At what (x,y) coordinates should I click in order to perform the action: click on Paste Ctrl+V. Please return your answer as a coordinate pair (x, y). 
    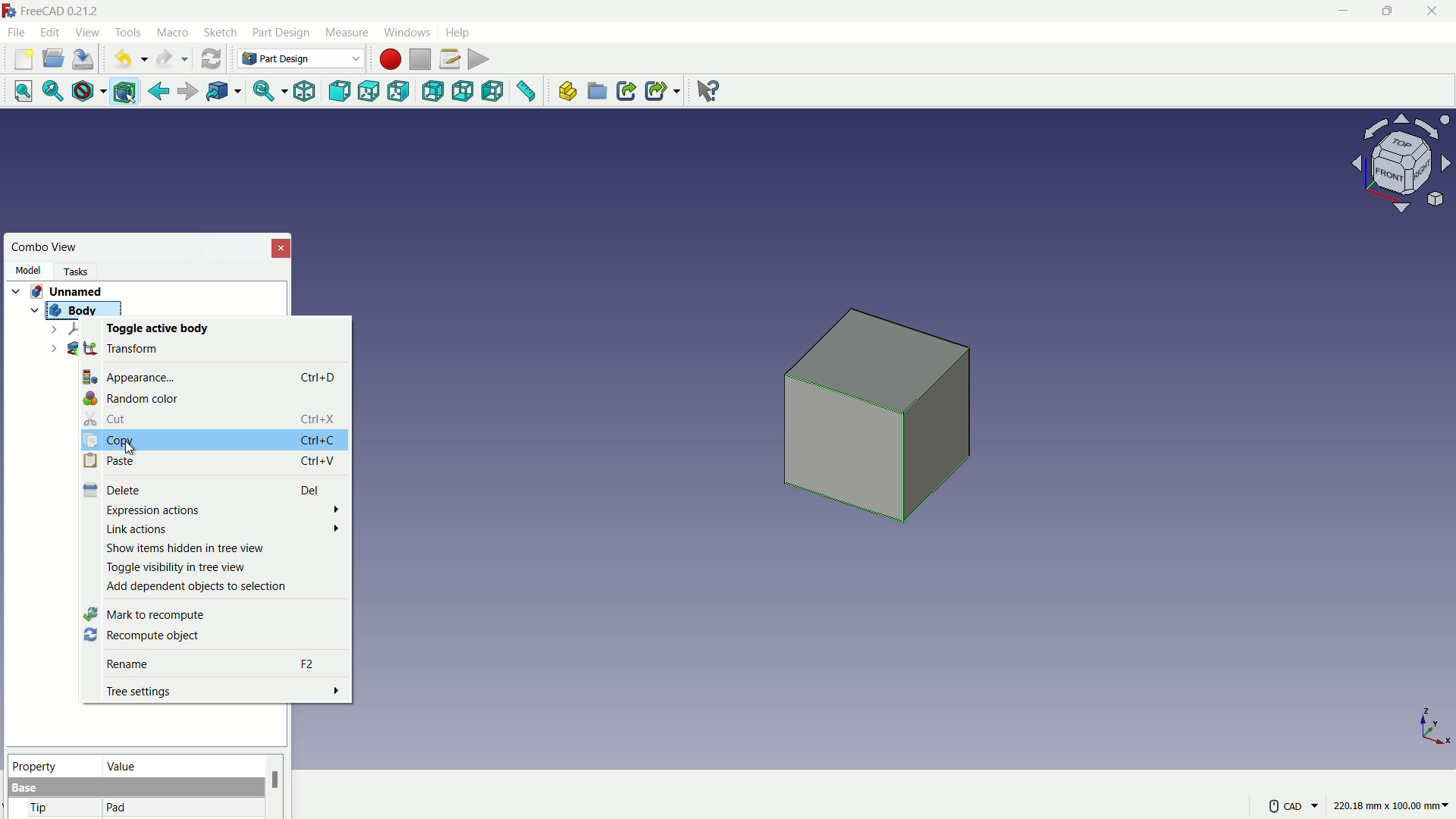
    Looking at the image, I should click on (208, 460).